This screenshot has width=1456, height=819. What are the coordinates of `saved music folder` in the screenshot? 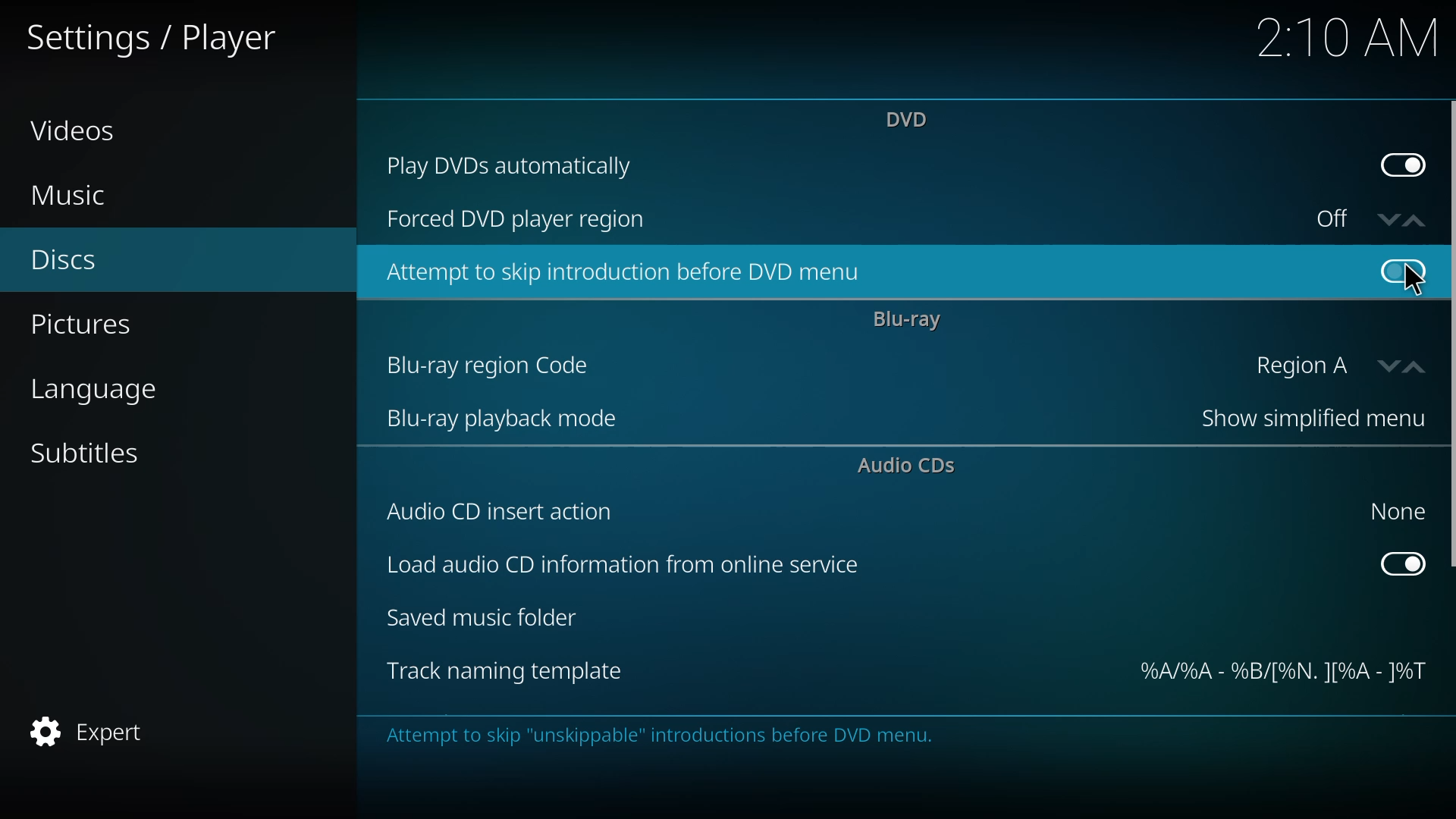 It's located at (481, 617).